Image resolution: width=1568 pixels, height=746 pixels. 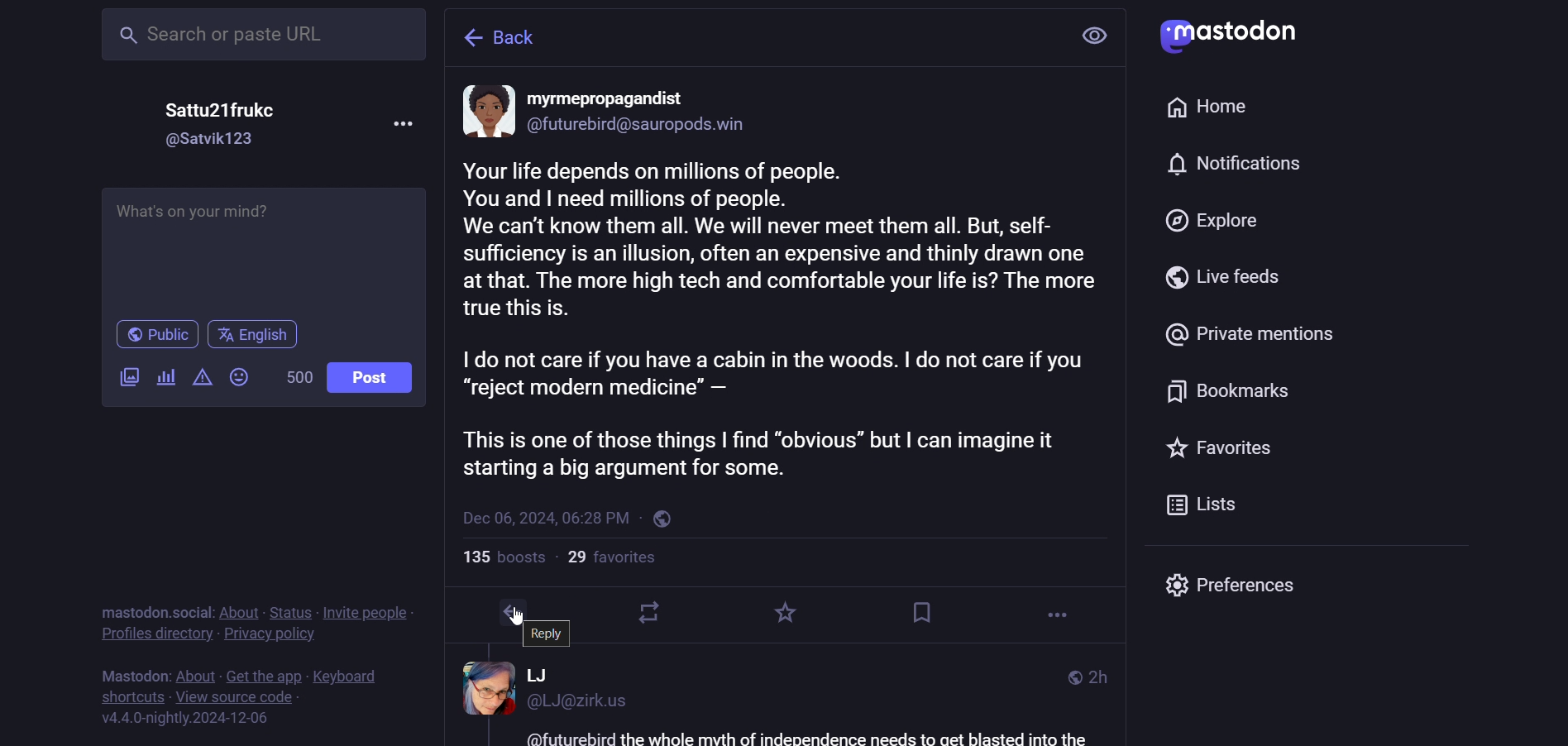 What do you see at coordinates (1073, 677) in the screenshot?
I see `public` at bounding box center [1073, 677].